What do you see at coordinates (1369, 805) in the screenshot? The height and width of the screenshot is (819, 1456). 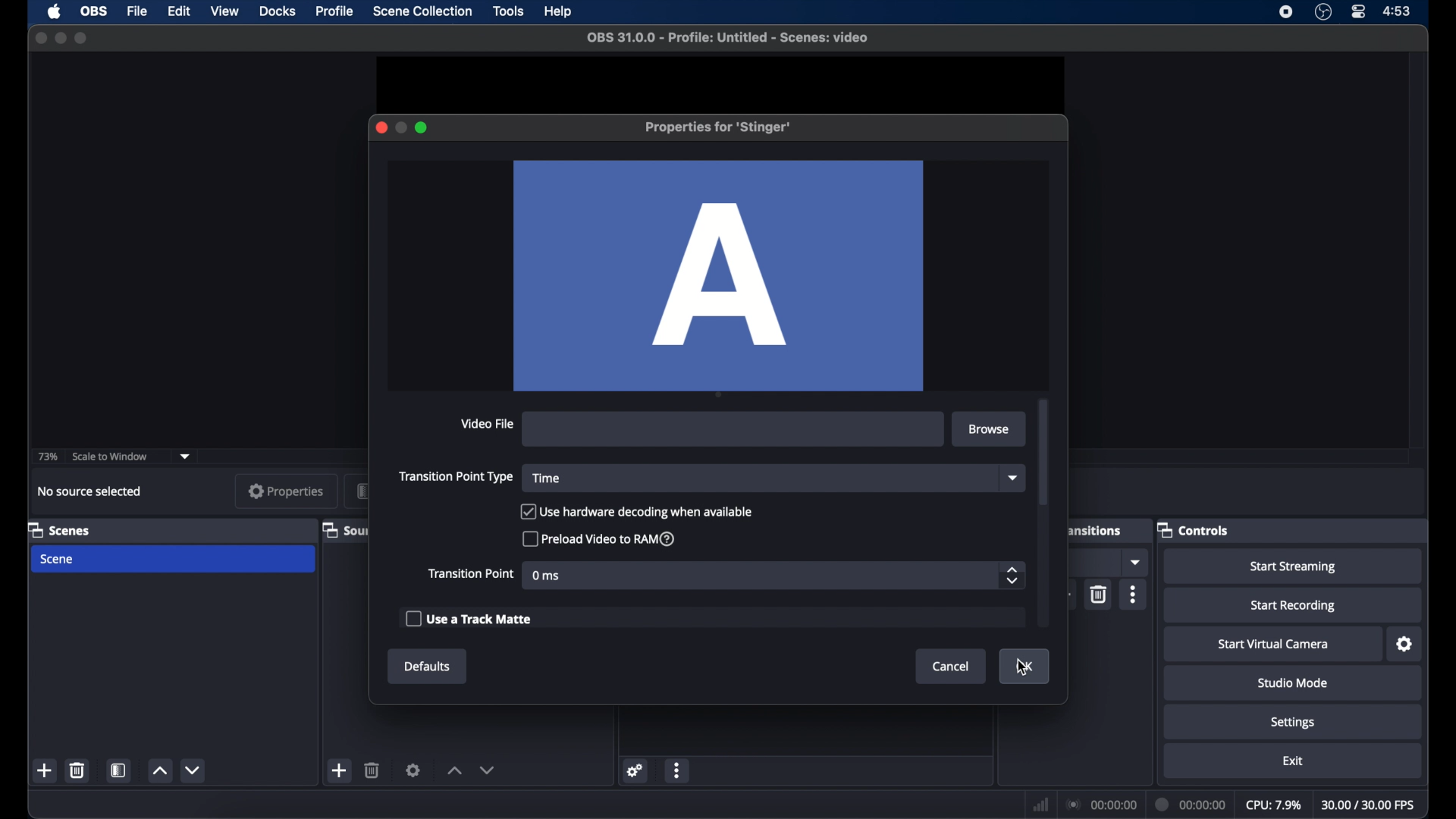 I see `fps` at bounding box center [1369, 805].